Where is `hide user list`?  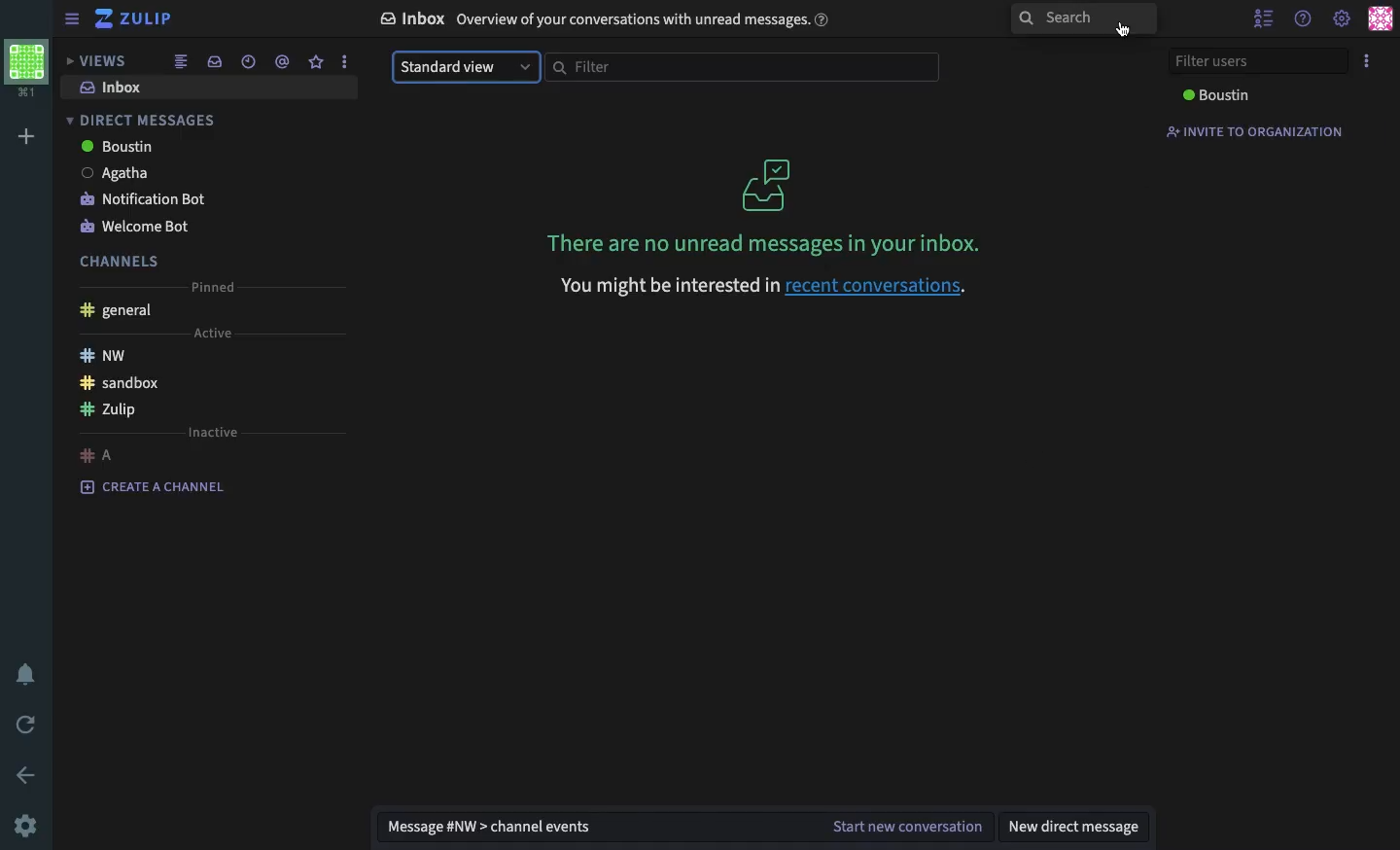 hide user list is located at coordinates (1264, 19).